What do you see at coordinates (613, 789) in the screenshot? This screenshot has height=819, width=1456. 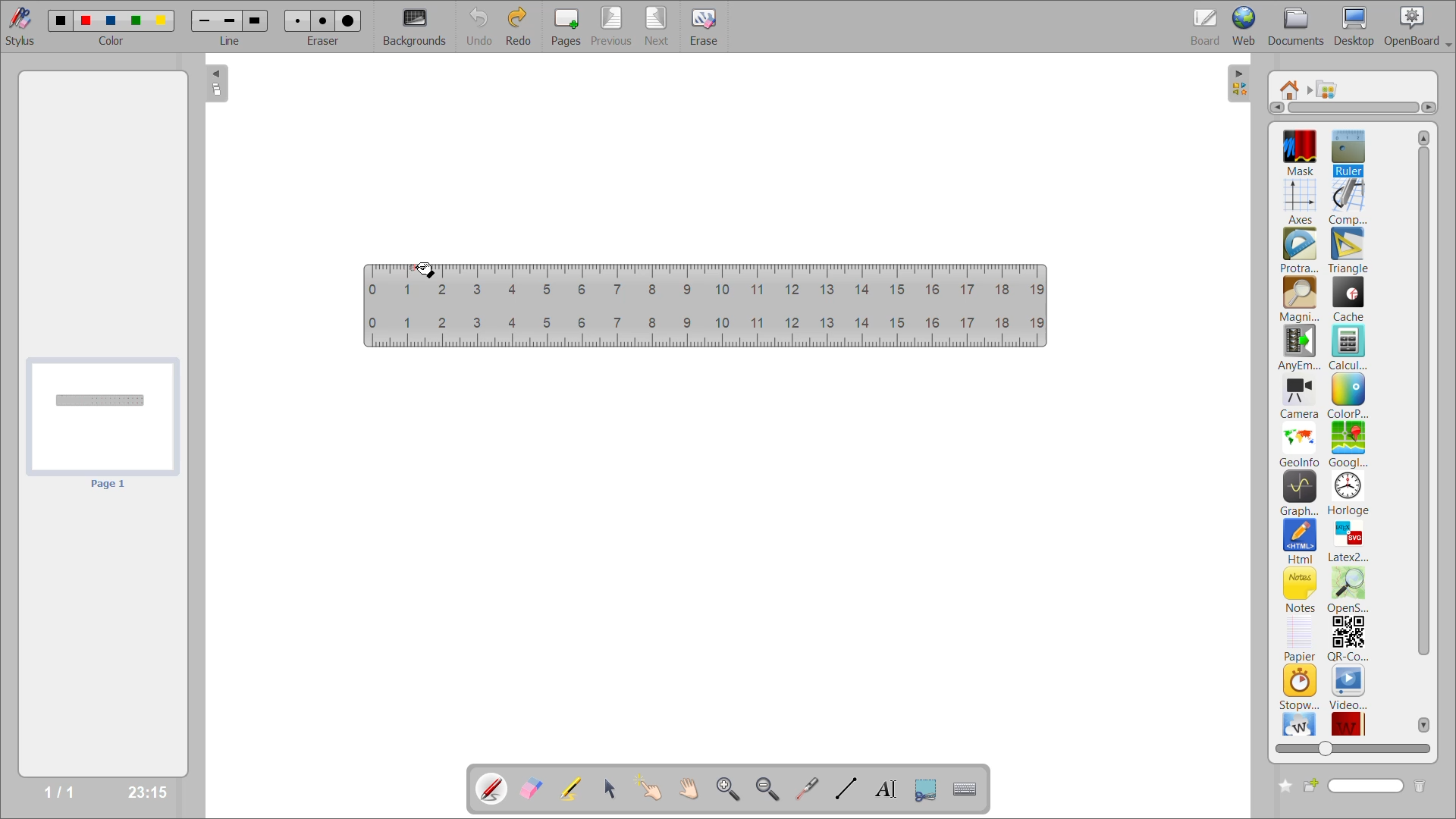 I see `select and modify objects` at bounding box center [613, 789].